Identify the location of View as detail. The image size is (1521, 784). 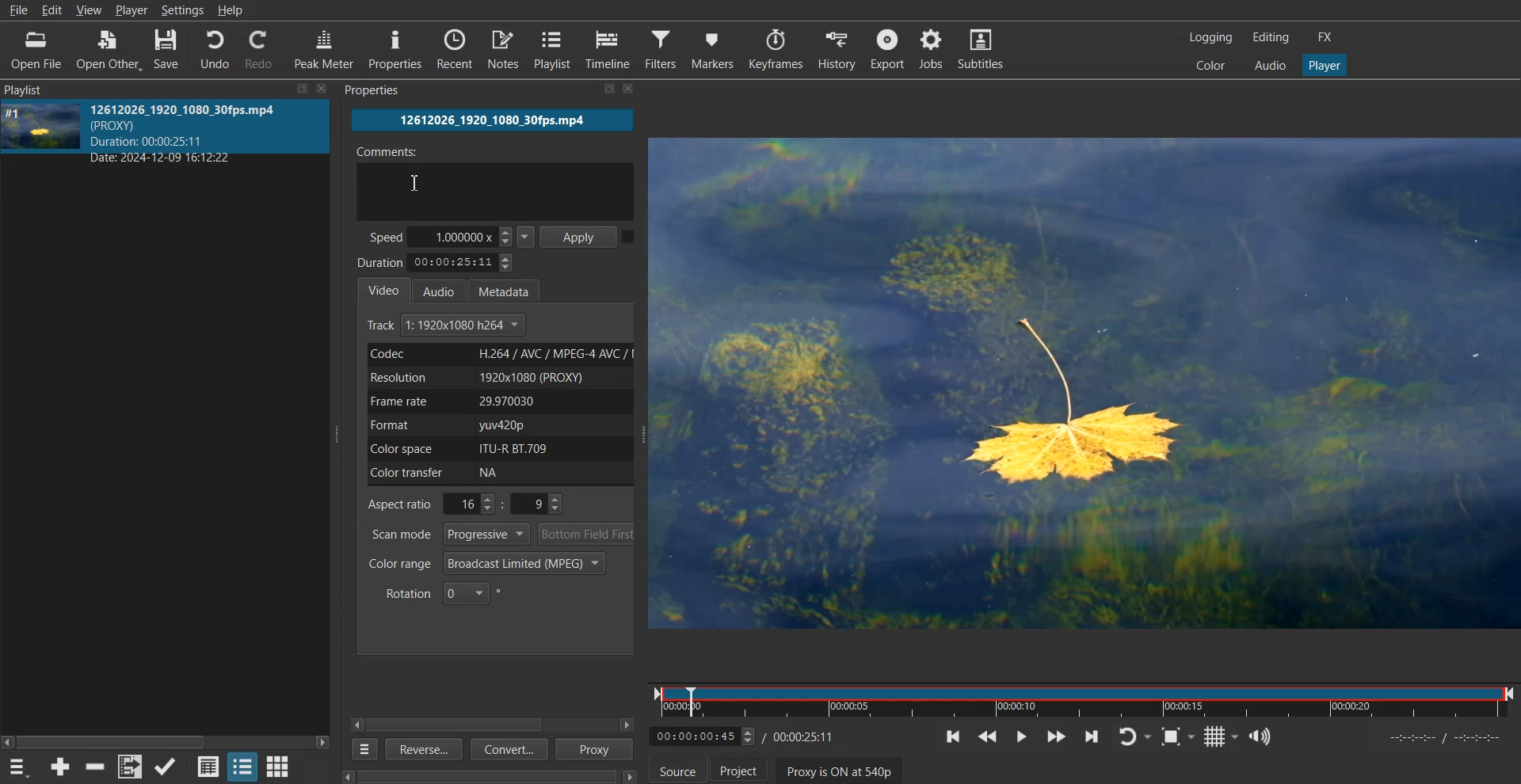
(208, 766).